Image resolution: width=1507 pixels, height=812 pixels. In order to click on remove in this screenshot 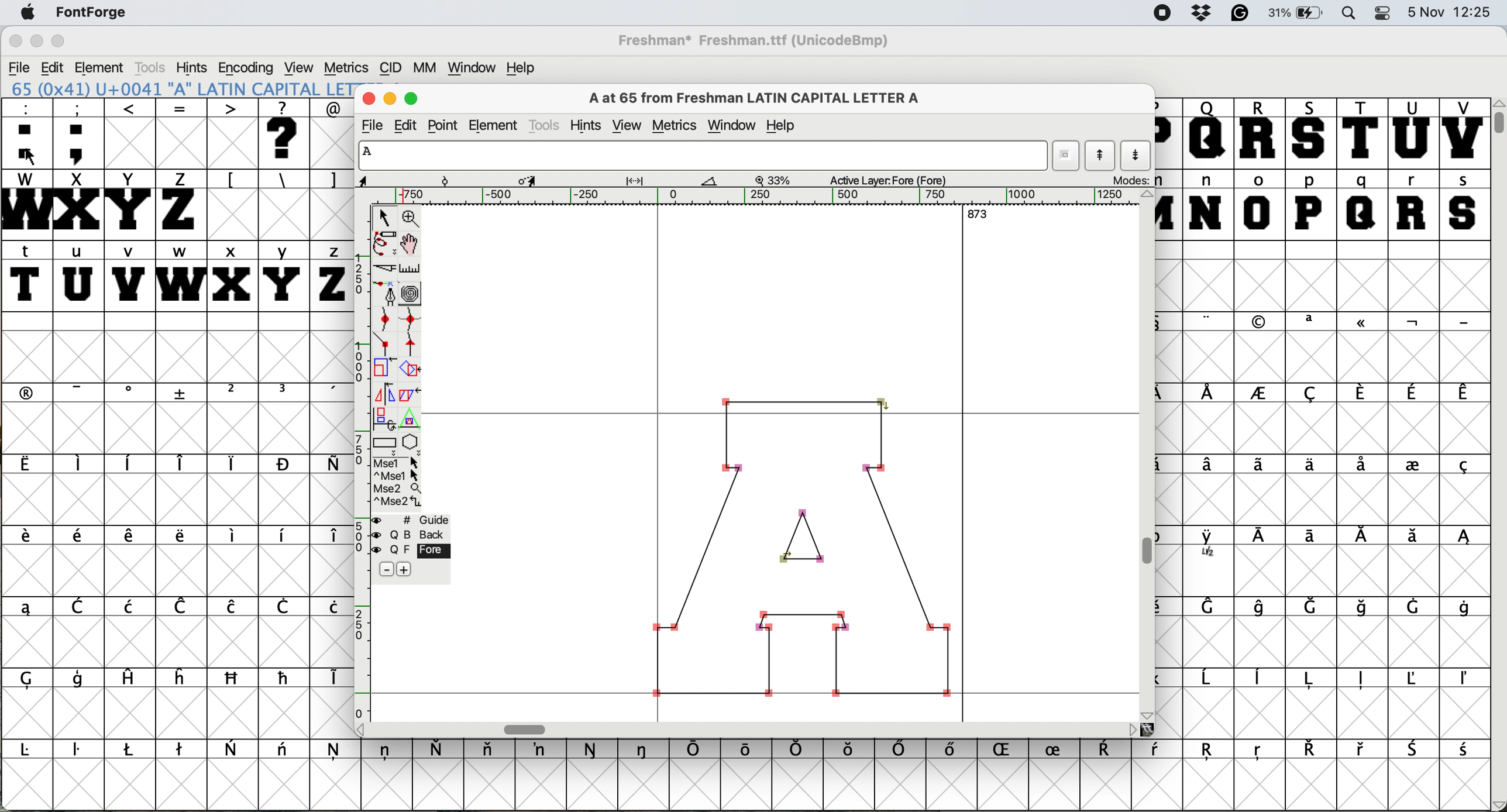, I will do `click(382, 570)`.